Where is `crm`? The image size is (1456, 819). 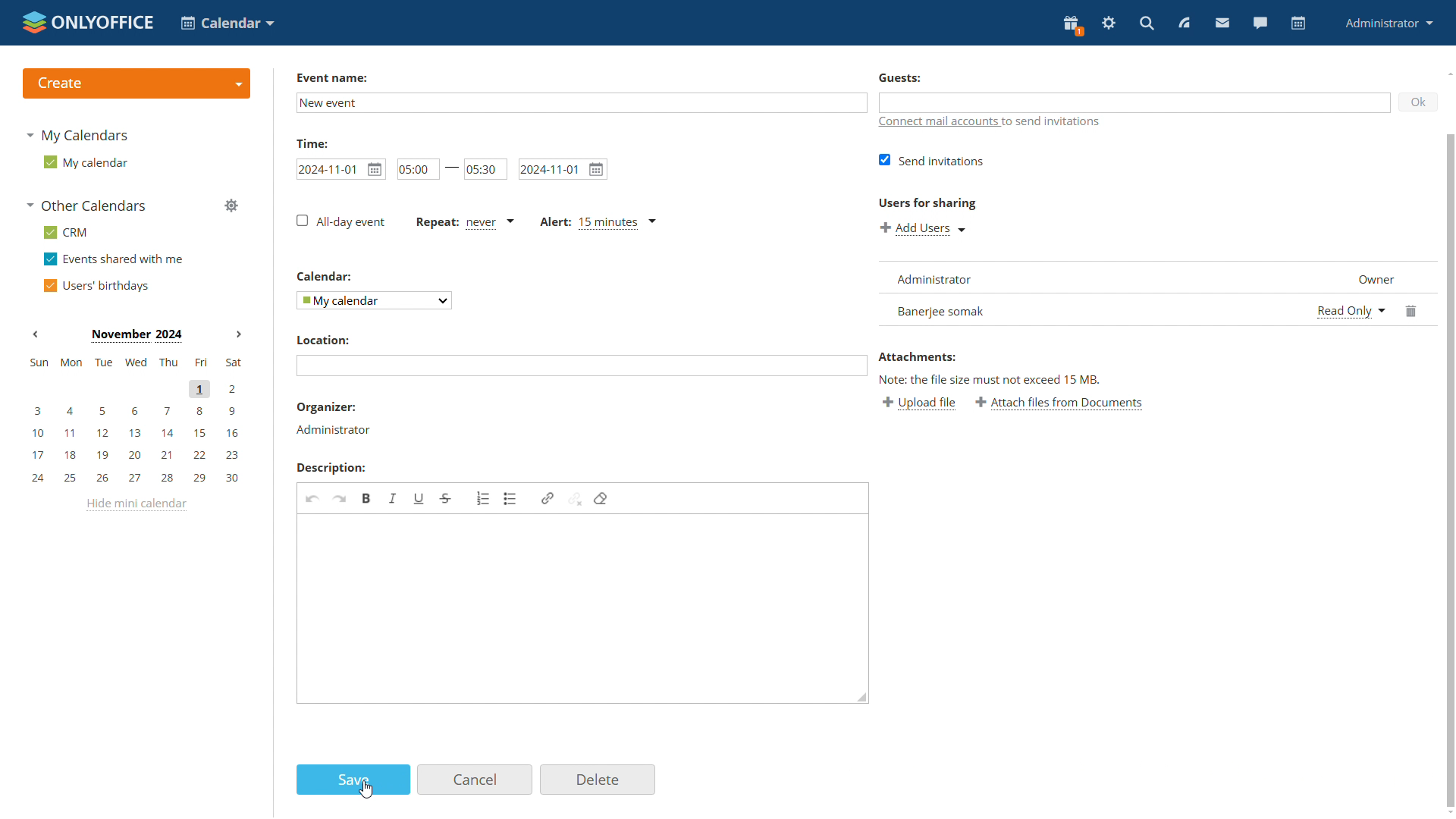
crm is located at coordinates (70, 234).